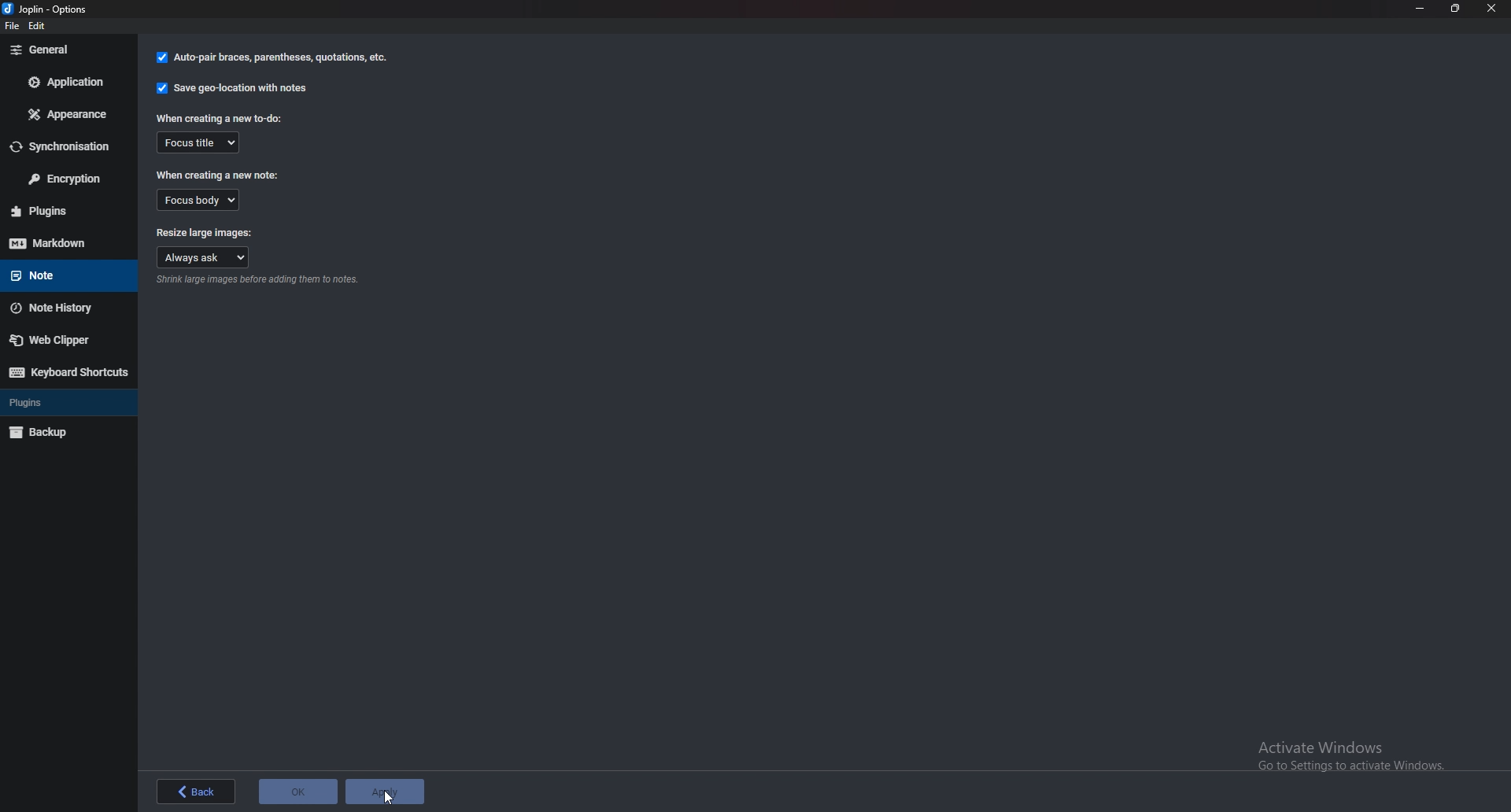 The width and height of the screenshot is (1511, 812). What do you see at coordinates (218, 118) in the screenshot?
I see `When creating a new to do` at bounding box center [218, 118].